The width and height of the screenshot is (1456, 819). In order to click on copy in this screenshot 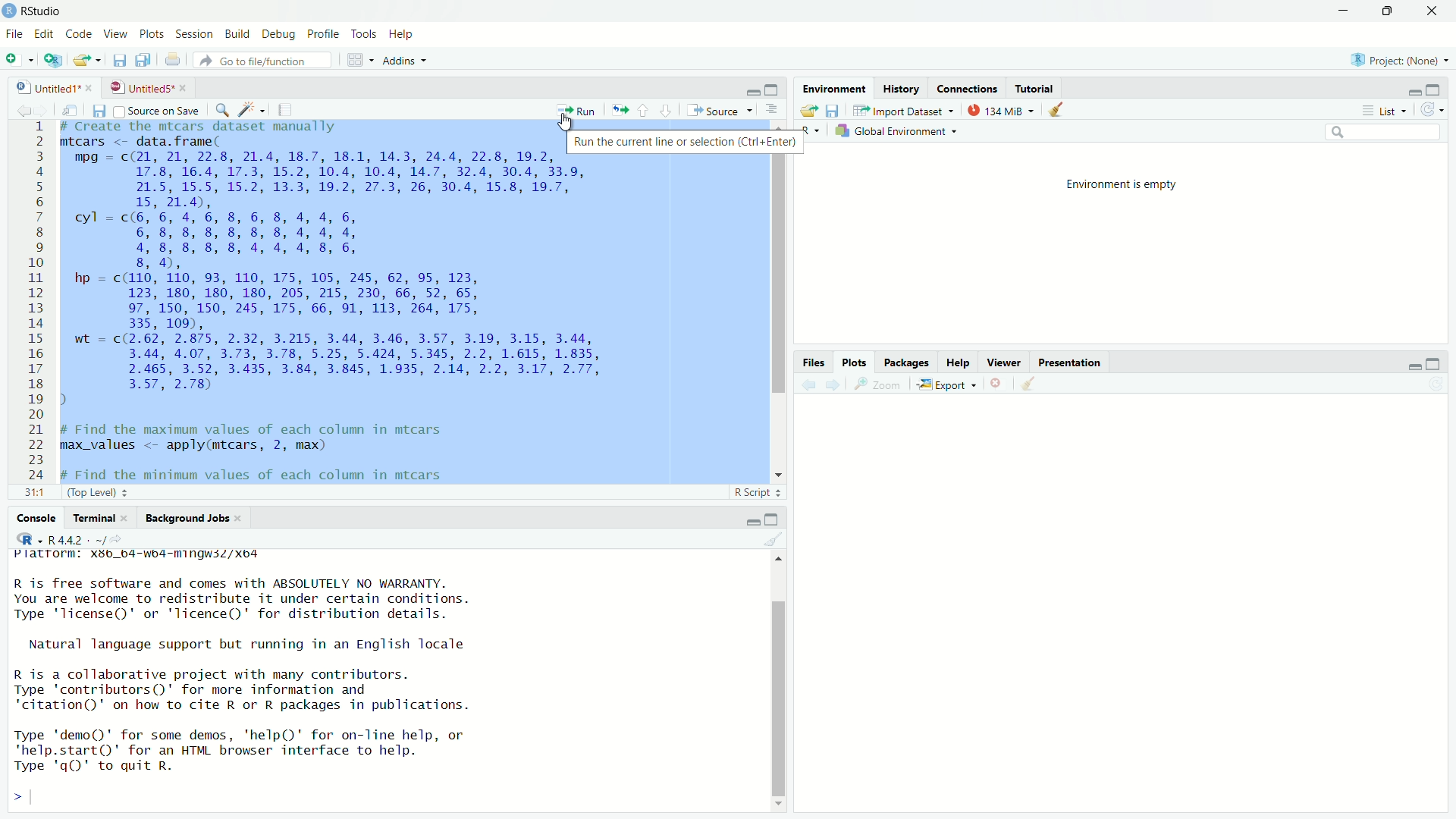, I will do `click(141, 60)`.